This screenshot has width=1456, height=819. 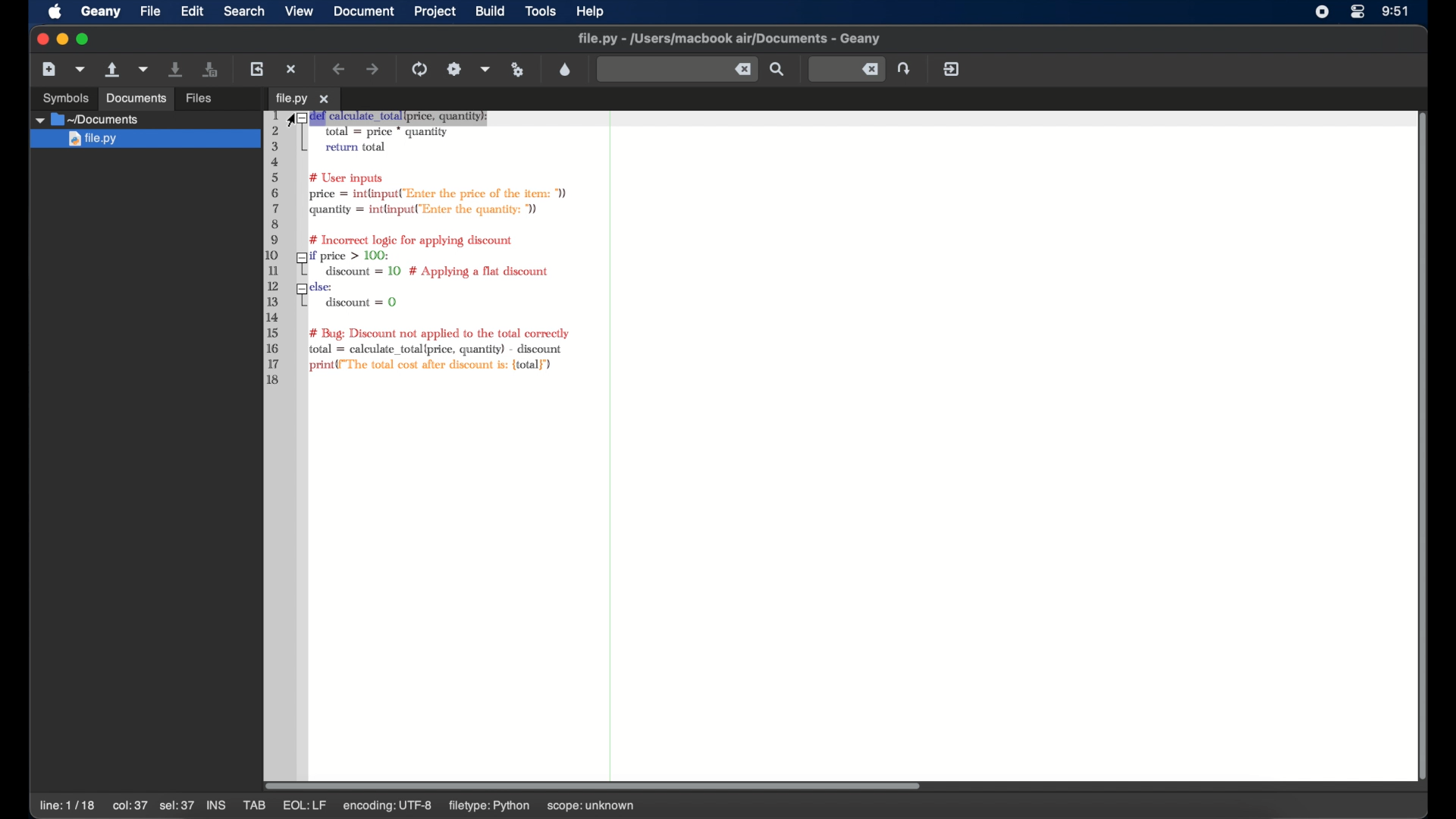 What do you see at coordinates (591, 807) in the screenshot?
I see `scope: unknown` at bounding box center [591, 807].